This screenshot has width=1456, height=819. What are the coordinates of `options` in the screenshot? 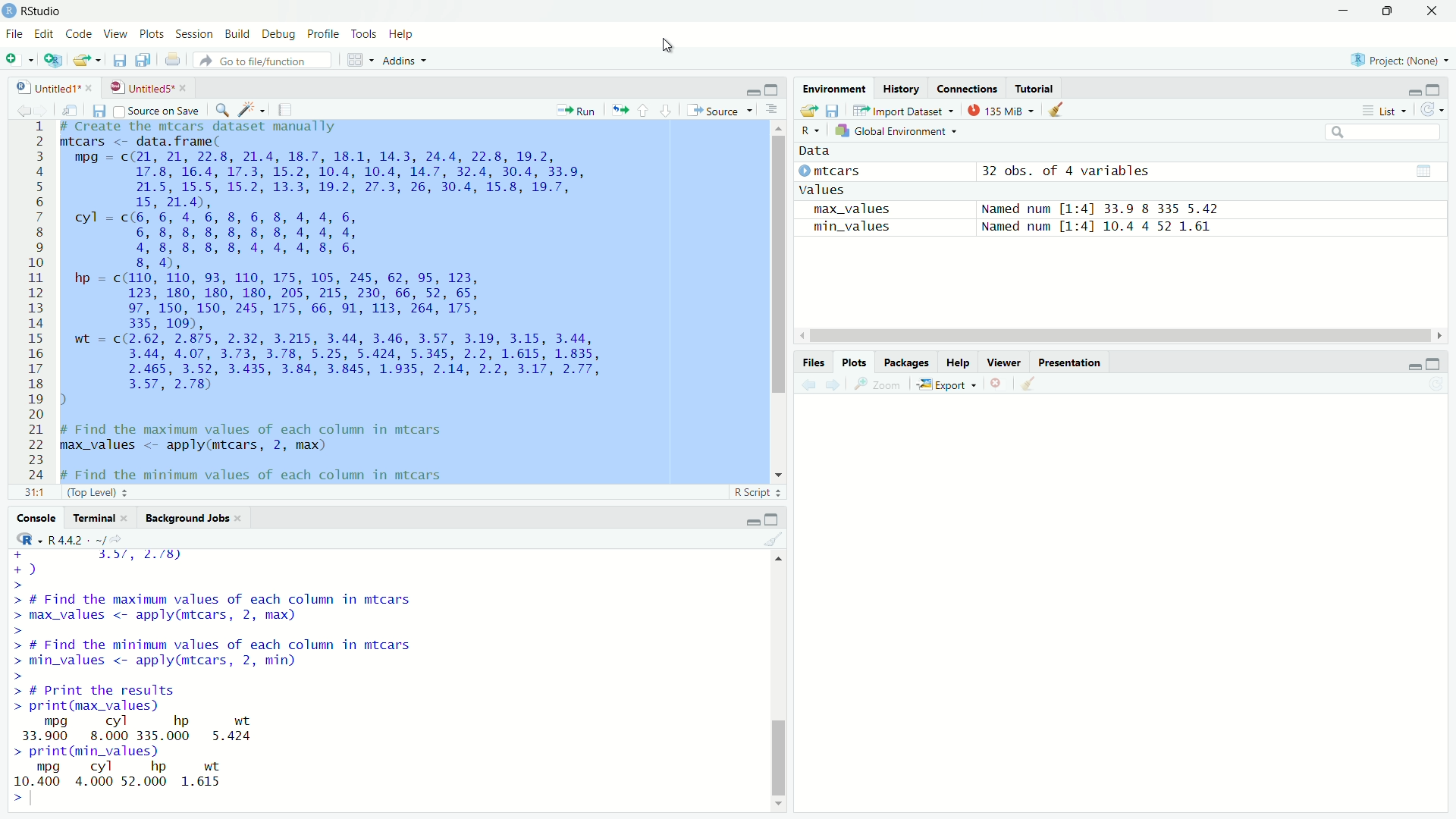 It's located at (771, 110).